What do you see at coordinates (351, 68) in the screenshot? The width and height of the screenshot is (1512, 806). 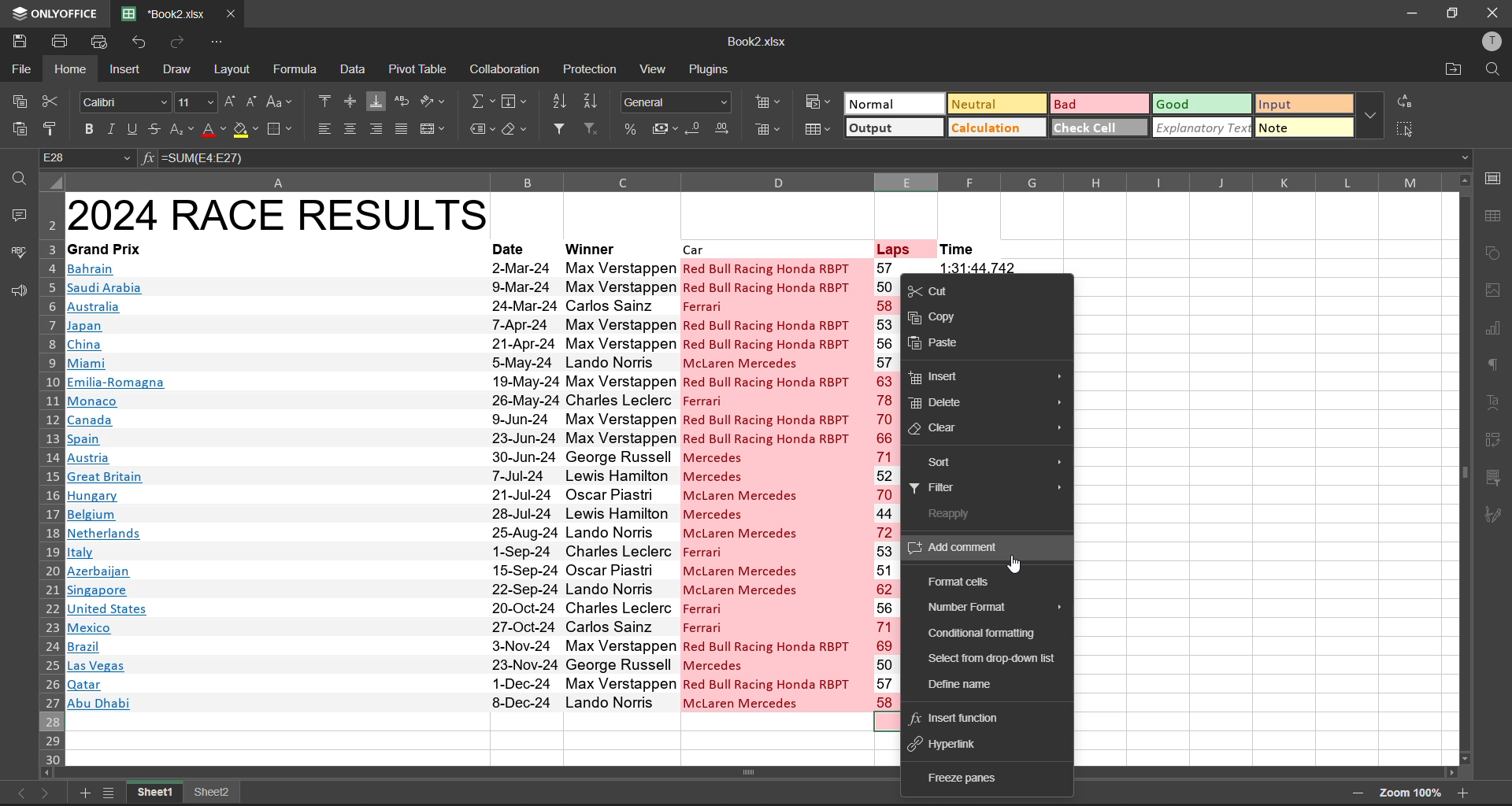 I see `data` at bounding box center [351, 68].